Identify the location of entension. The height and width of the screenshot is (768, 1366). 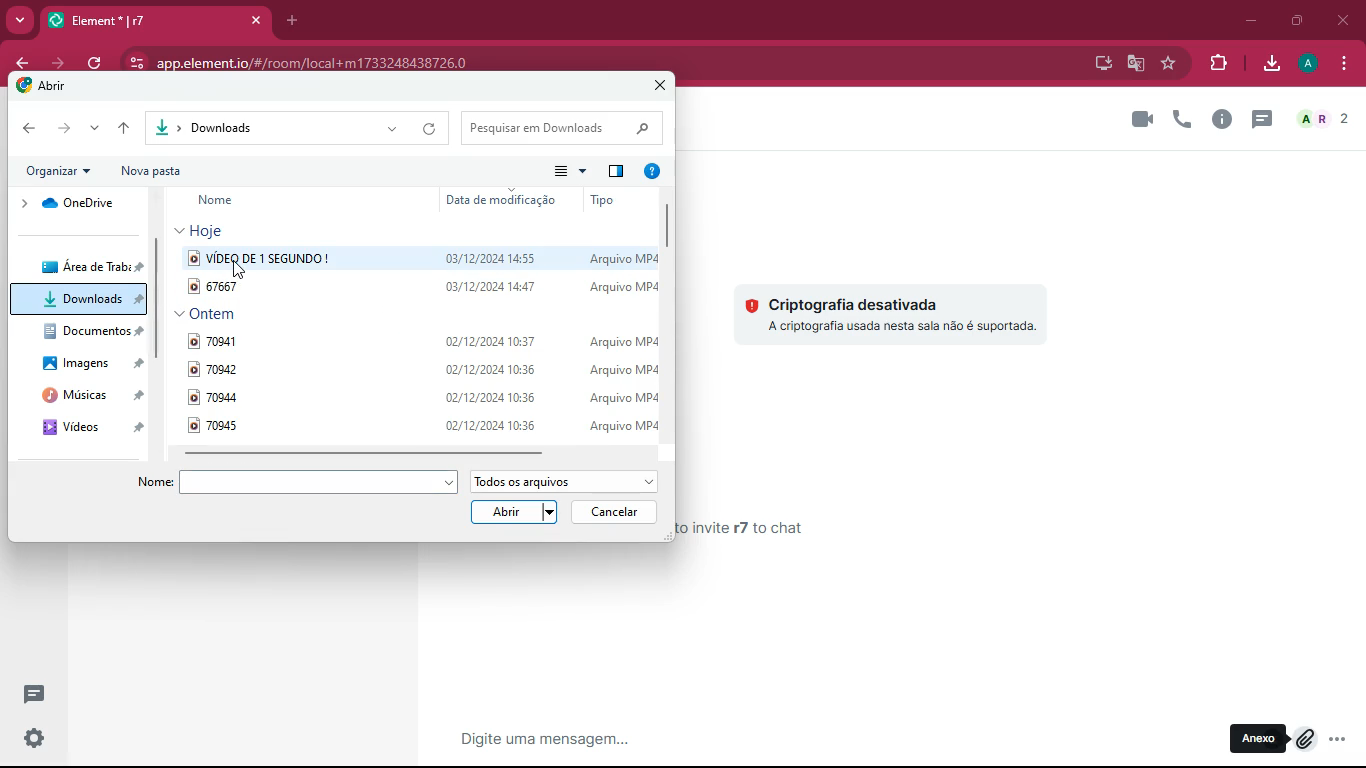
(1214, 64).